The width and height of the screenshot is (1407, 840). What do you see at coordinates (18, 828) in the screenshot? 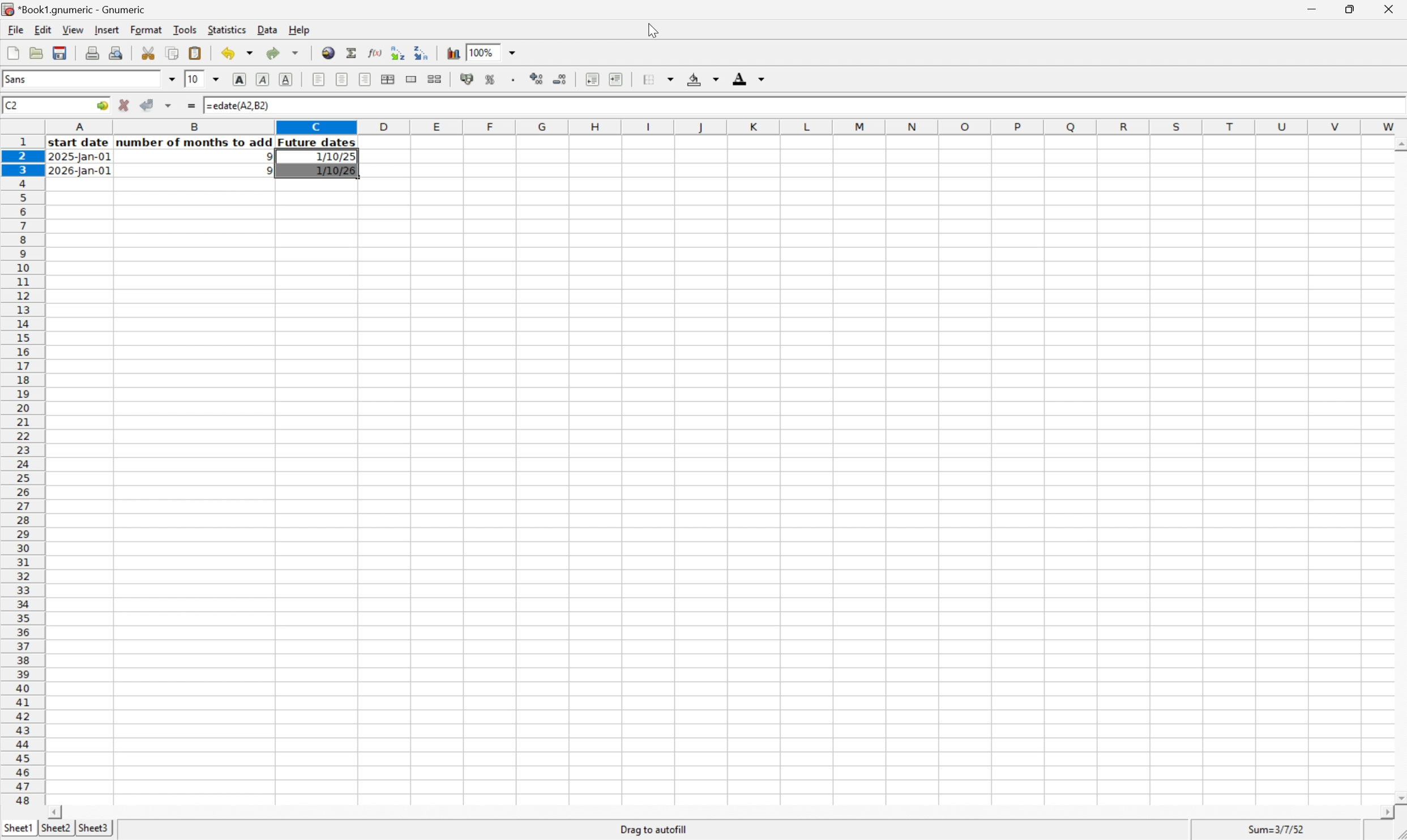
I see `Sheet1` at bounding box center [18, 828].